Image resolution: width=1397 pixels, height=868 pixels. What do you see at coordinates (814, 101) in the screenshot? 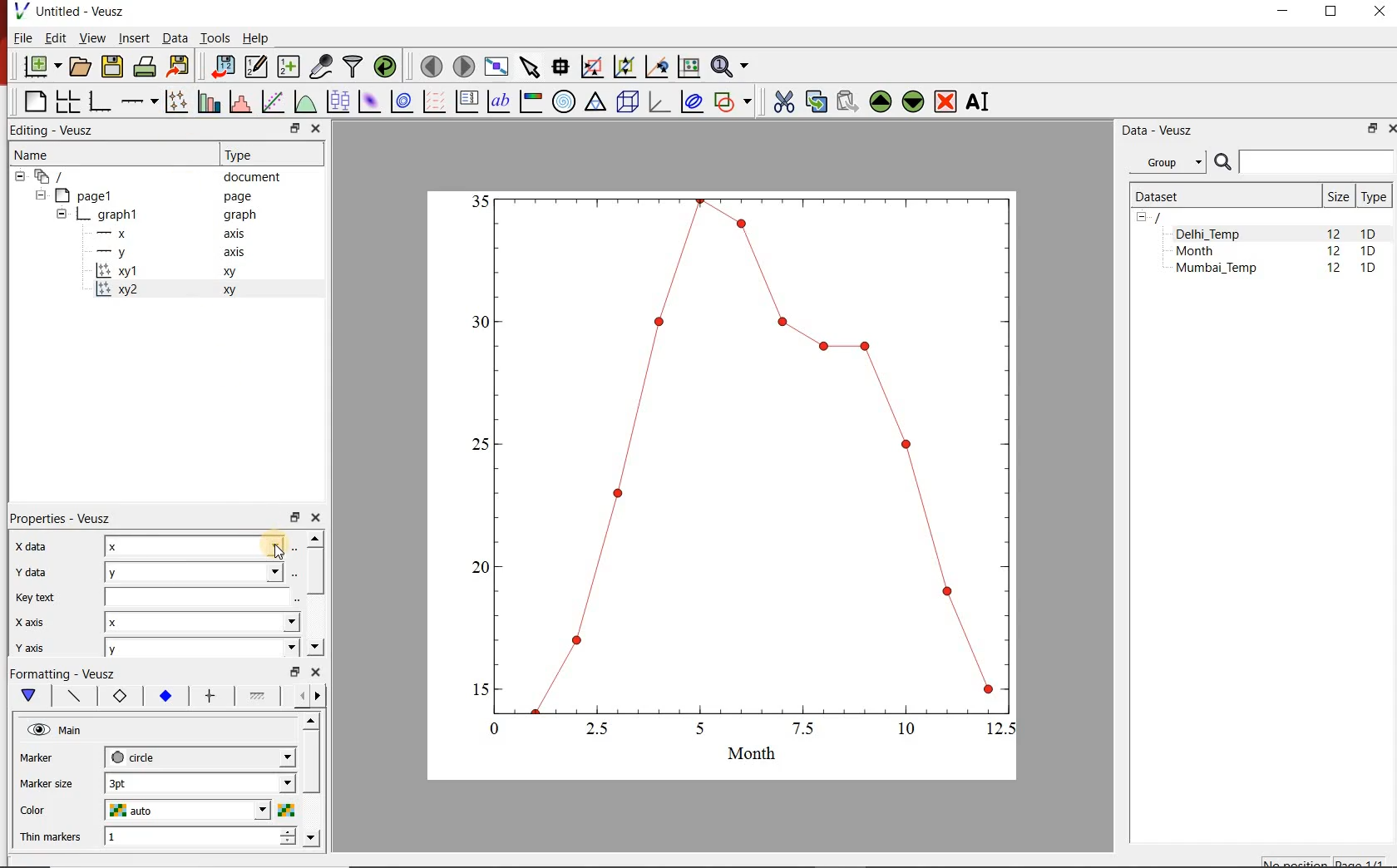
I see `copy the selected widget` at bounding box center [814, 101].